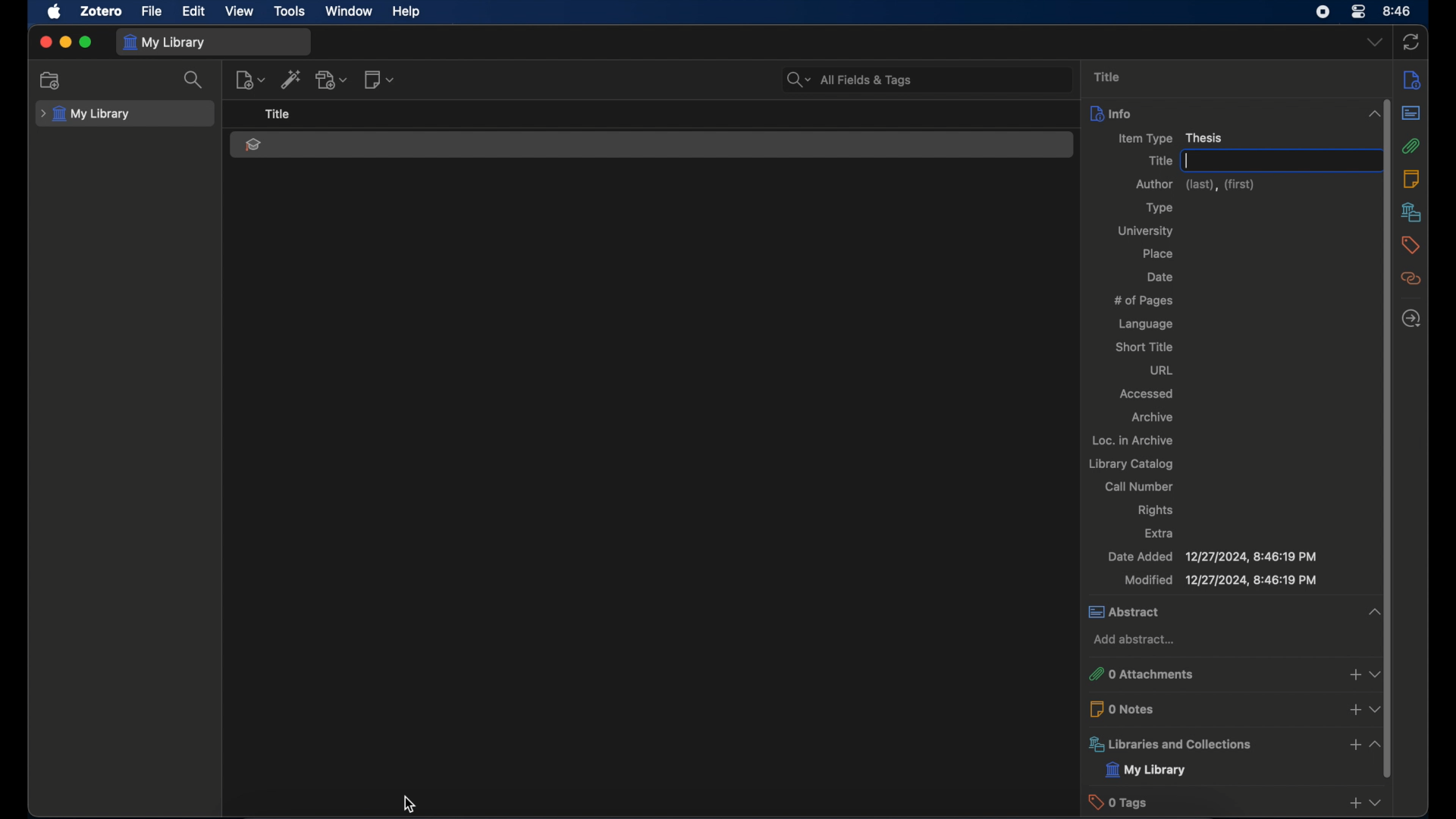 The width and height of the screenshot is (1456, 819). I want to click on my library, so click(86, 115).